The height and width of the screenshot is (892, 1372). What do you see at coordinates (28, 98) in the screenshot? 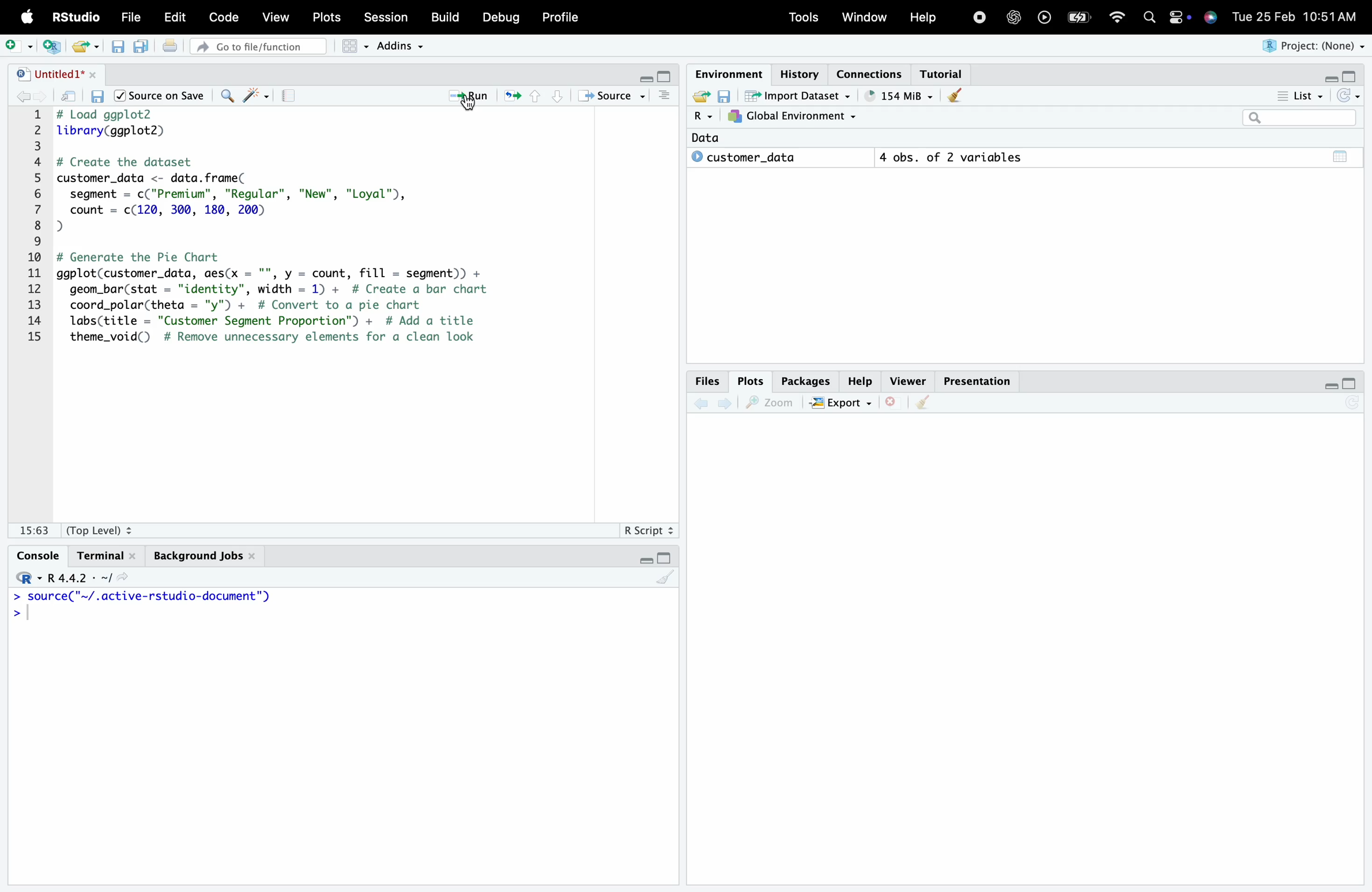
I see `back` at bounding box center [28, 98].